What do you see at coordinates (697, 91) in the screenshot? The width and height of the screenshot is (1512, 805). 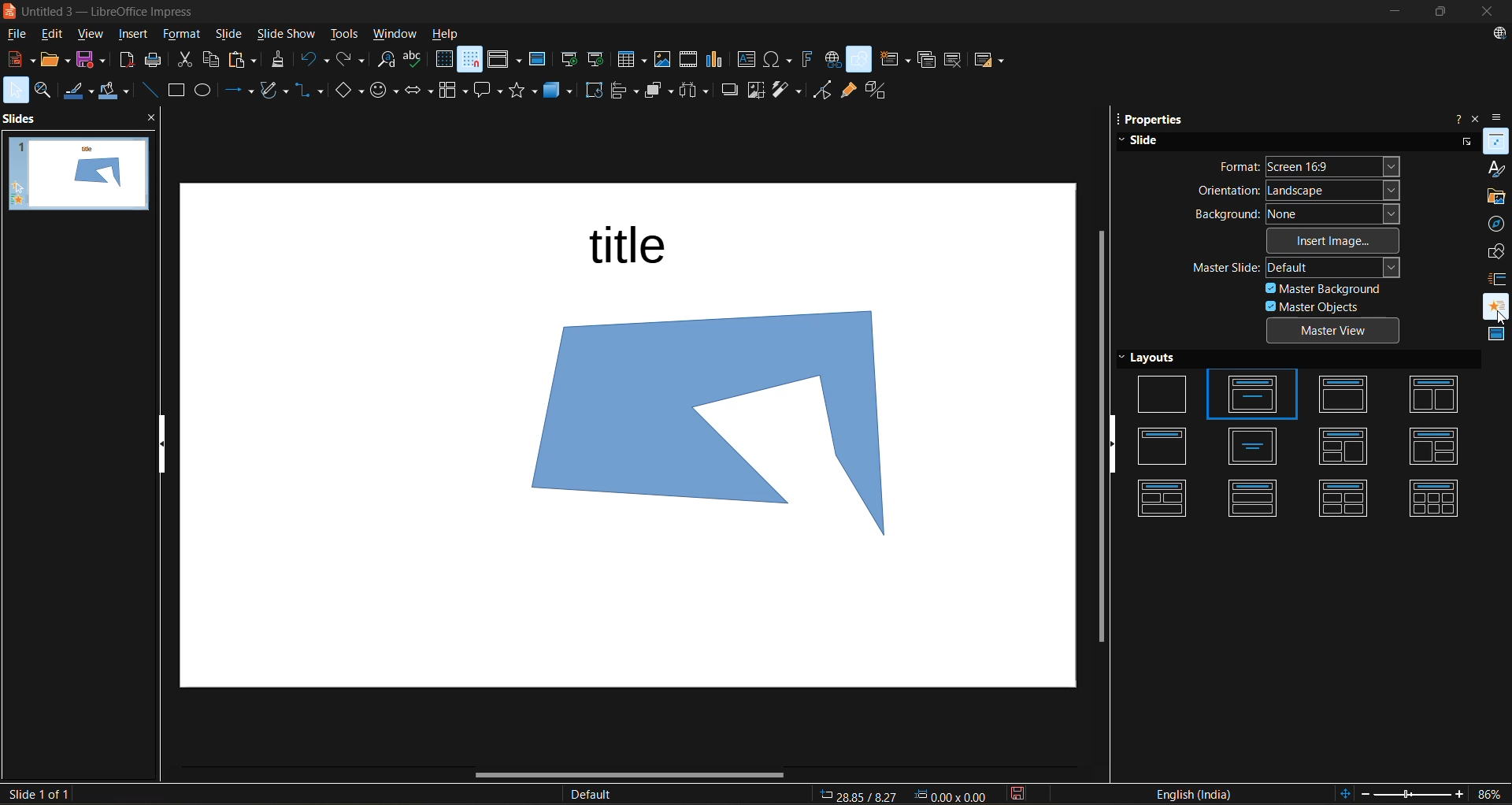 I see `distribute` at bounding box center [697, 91].